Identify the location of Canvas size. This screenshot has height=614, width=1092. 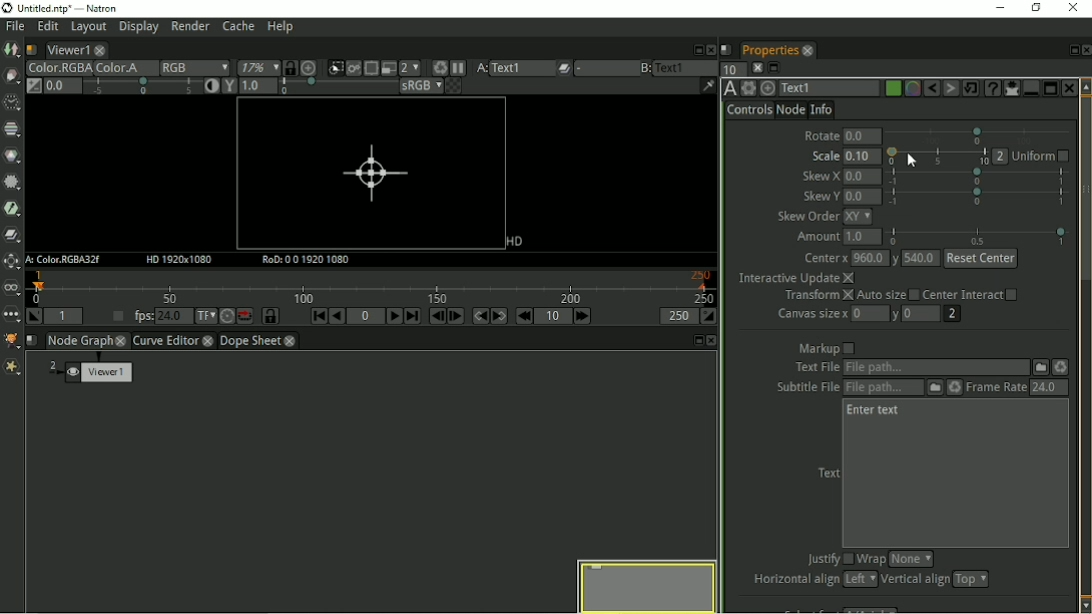
(872, 315).